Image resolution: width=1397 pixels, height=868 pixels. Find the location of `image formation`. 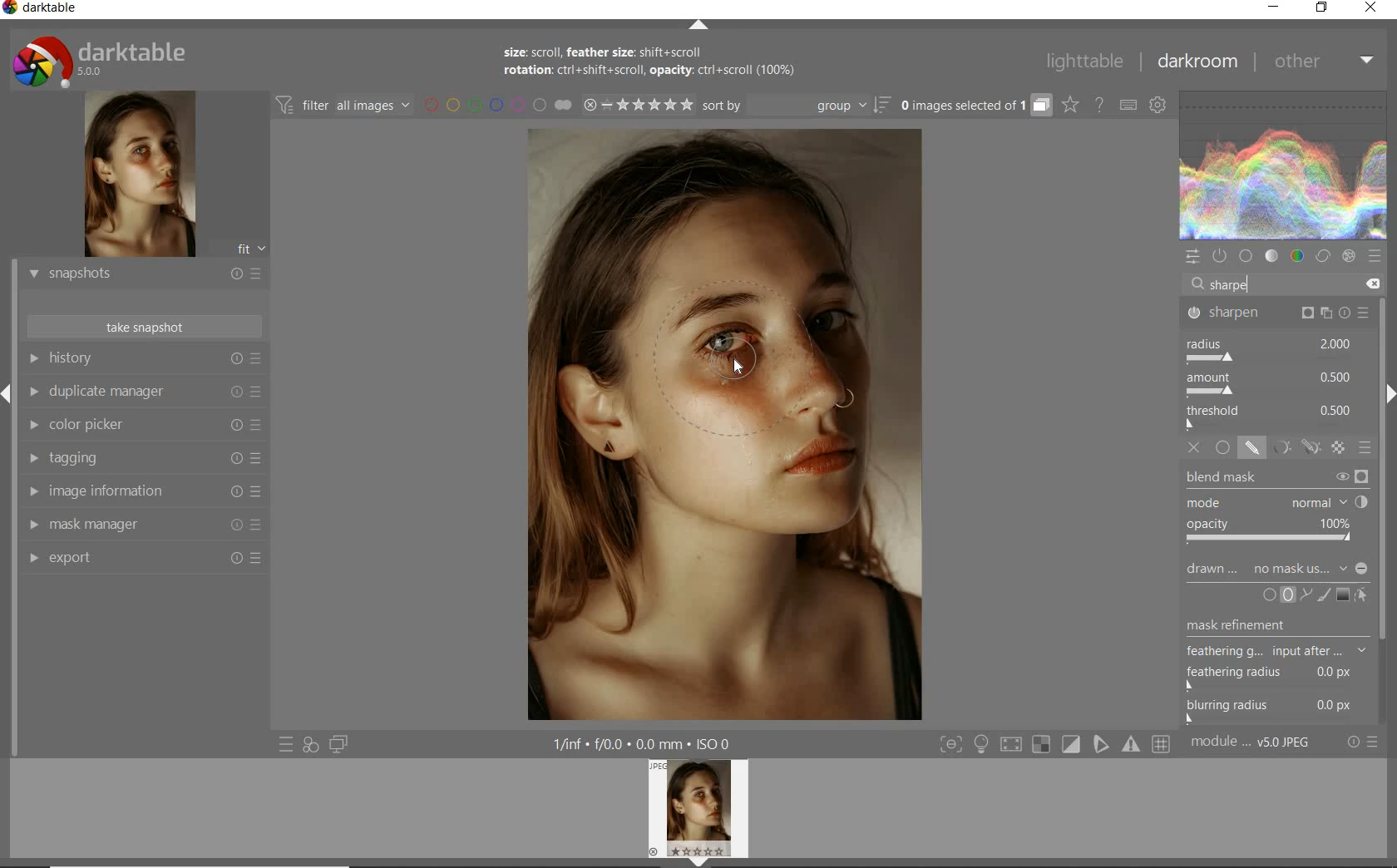

image formation is located at coordinates (141, 491).